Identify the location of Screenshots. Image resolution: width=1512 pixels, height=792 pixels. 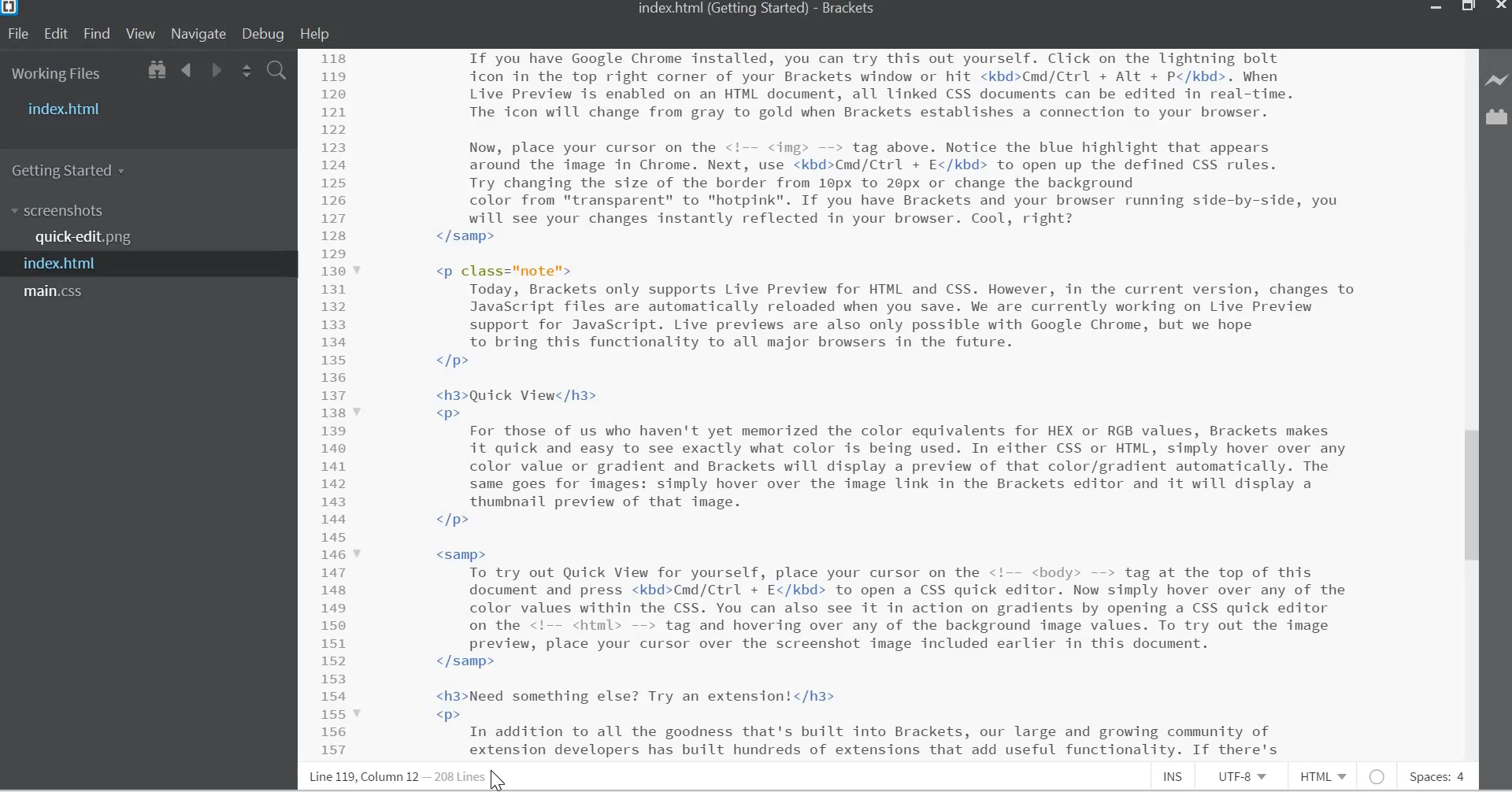
(60, 212).